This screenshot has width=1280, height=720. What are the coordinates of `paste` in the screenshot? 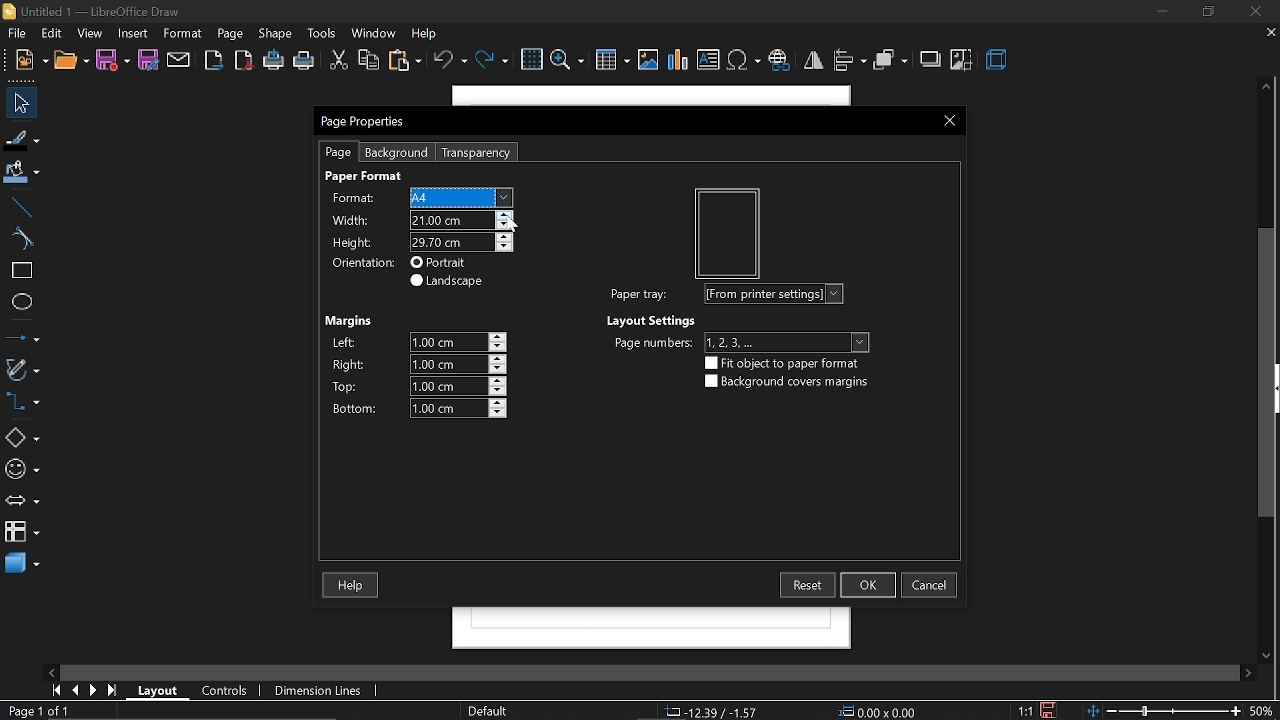 It's located at (405, 62).